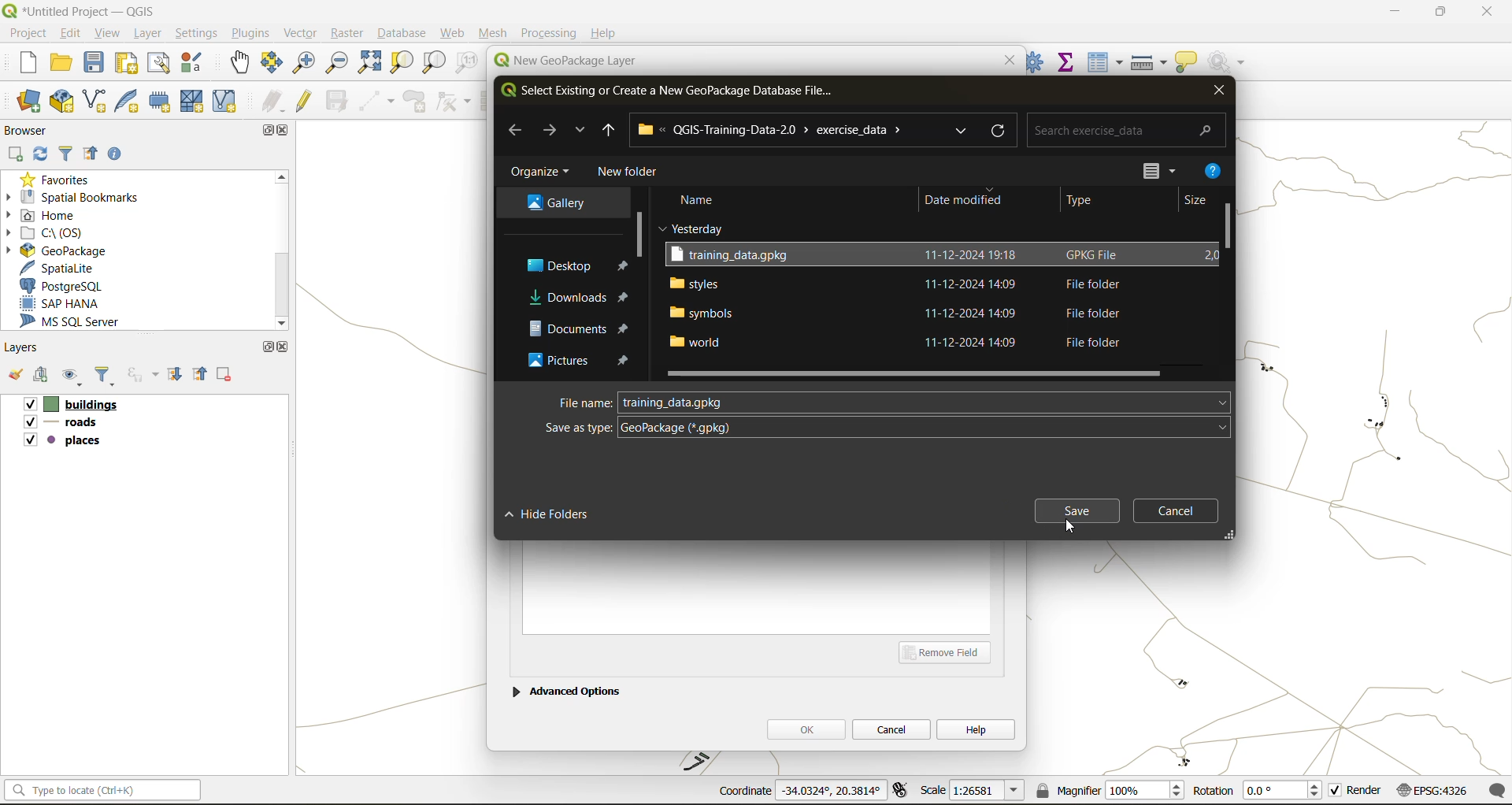 Image resolution: width=1512 pixels, height=805 pixels. I want to click on zoom out, so click(335, 65).